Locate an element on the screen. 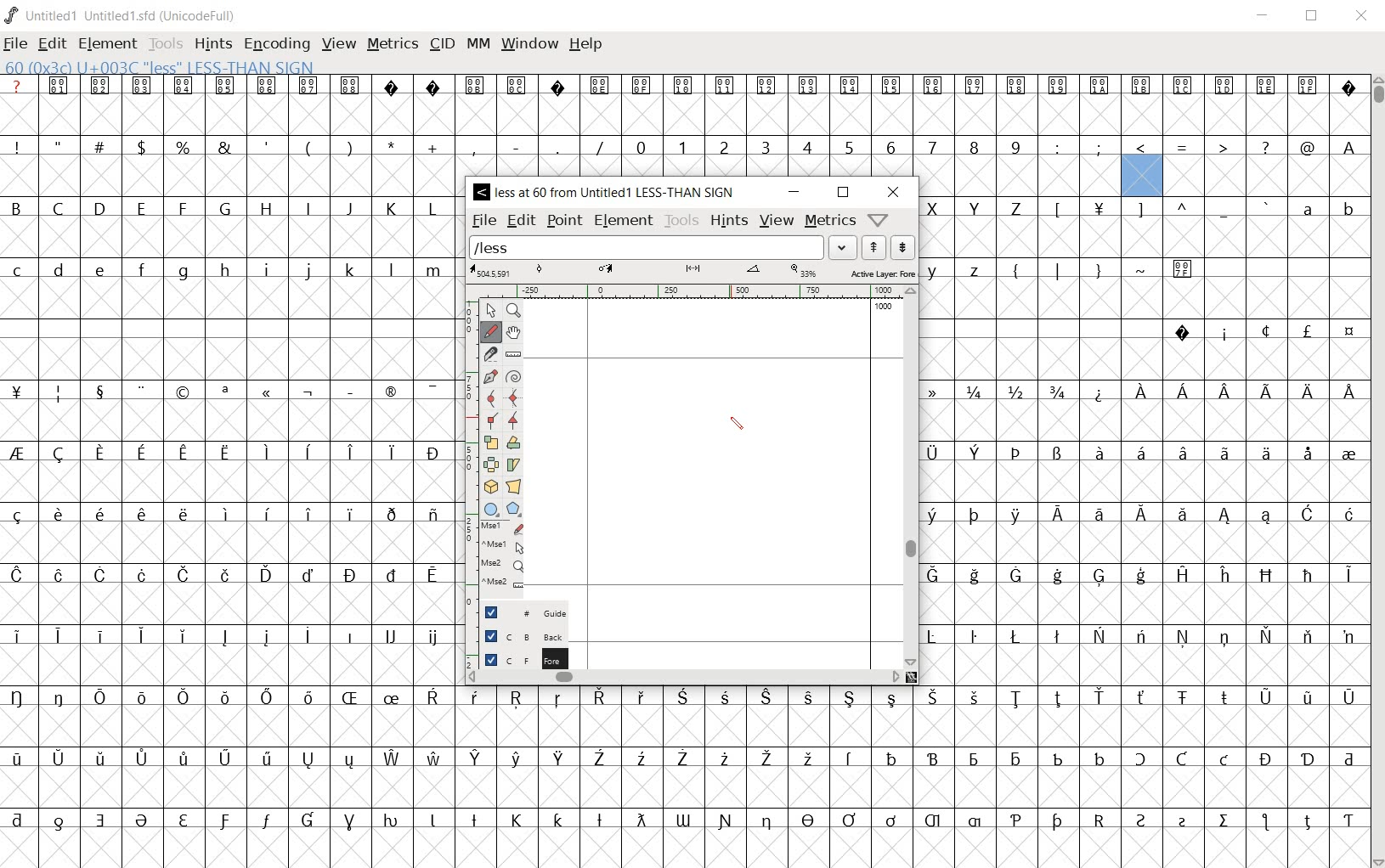 The width and height of the screenshot is (1385, 868). scrollbar is located at coordinates (684, 679).